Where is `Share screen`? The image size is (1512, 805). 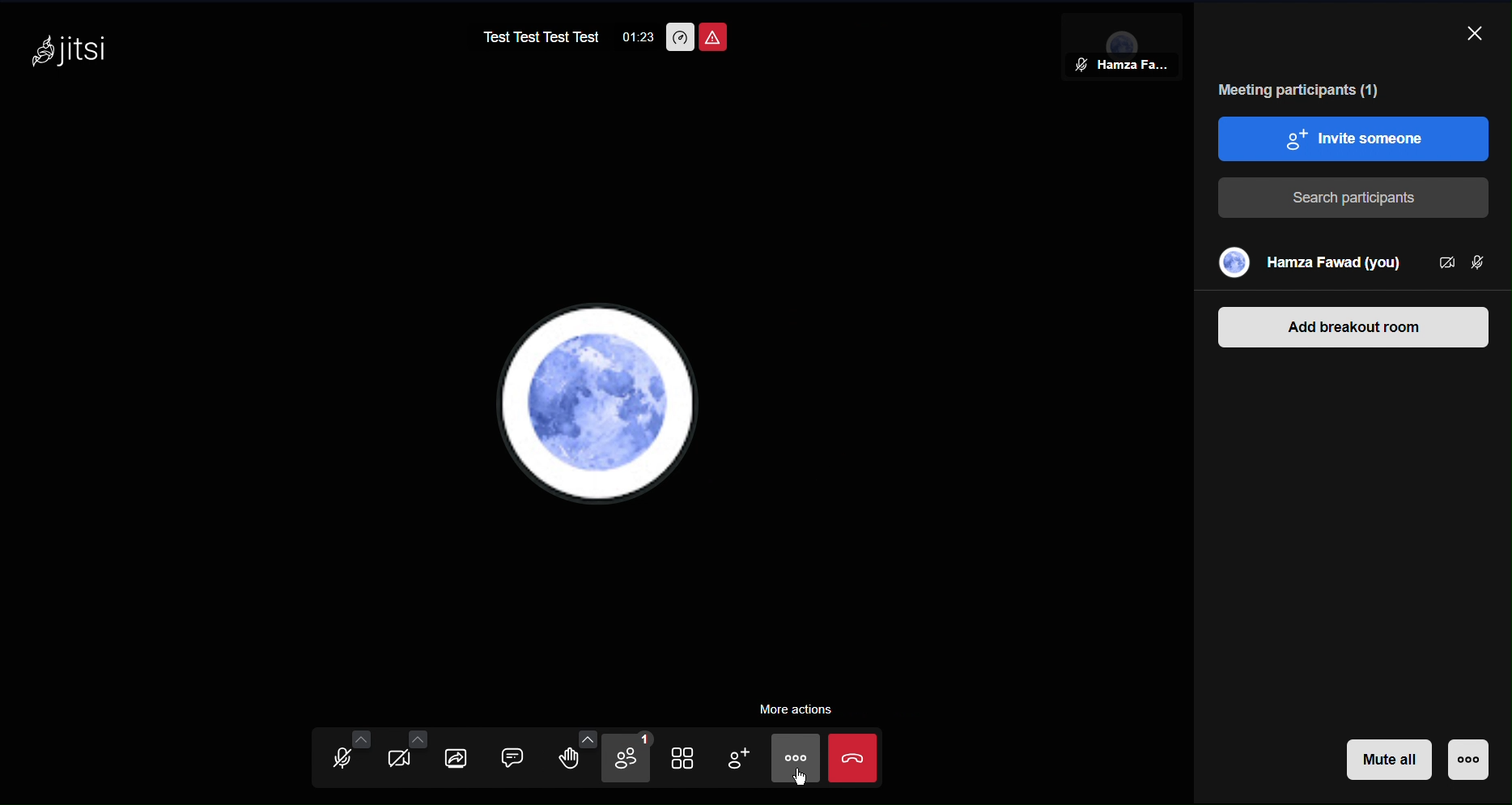 Share screen is located at coordinates (465, 757).